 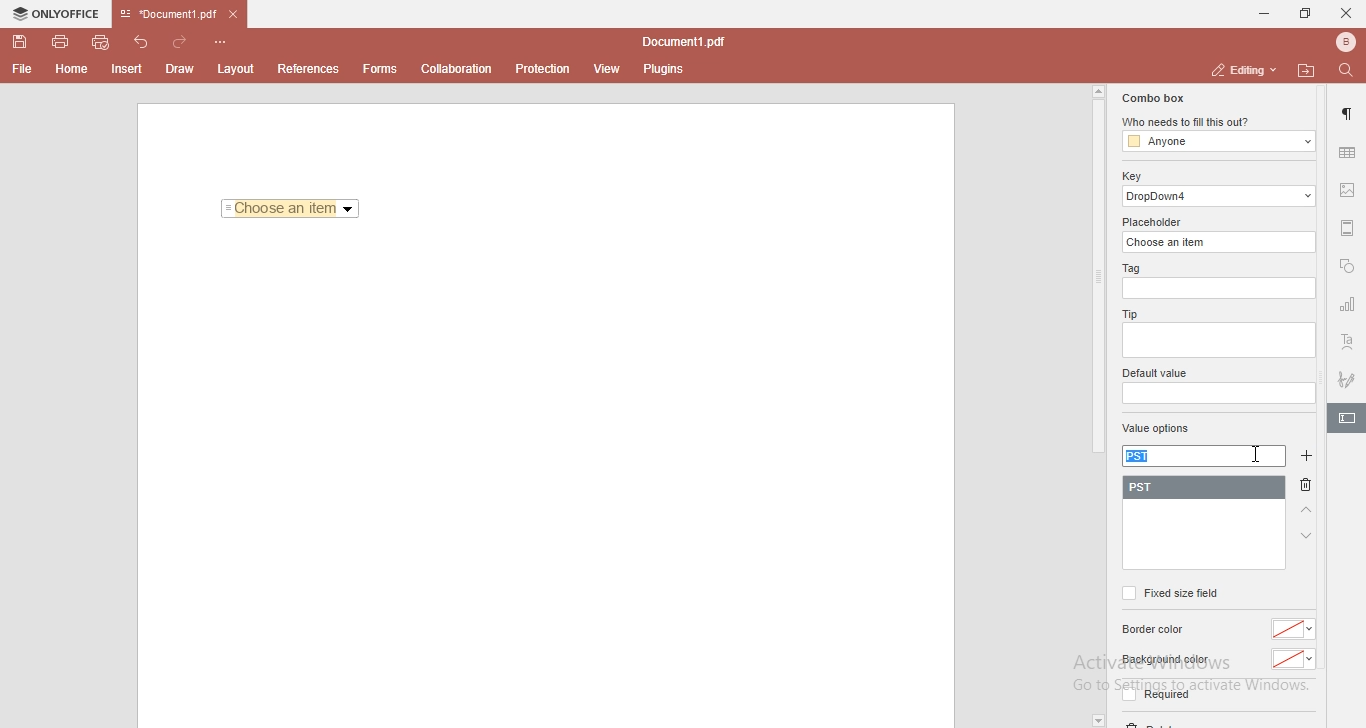 I want to click on add, so click(x=1310, y=456).